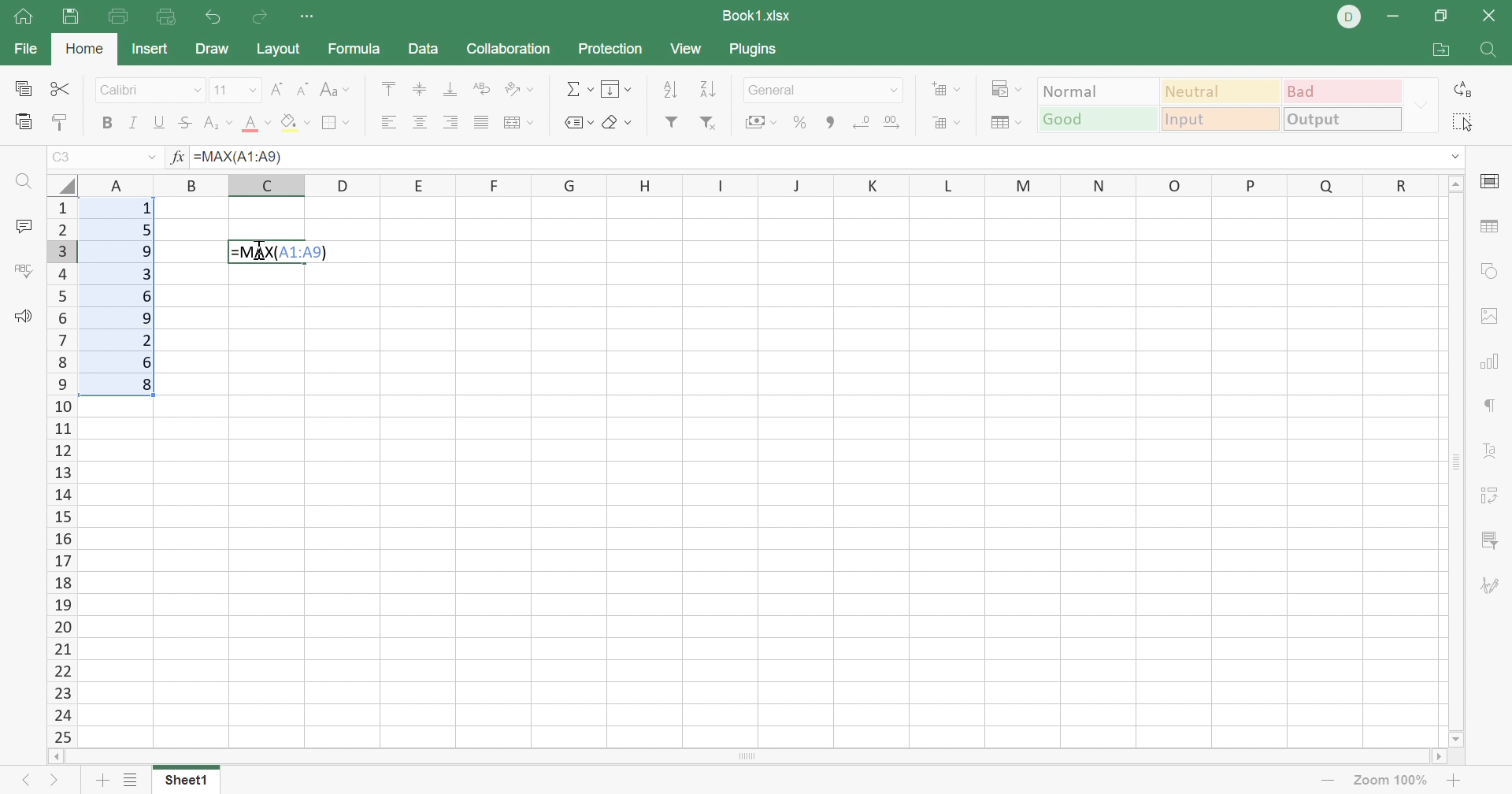  What do you see at coordinates (147, 339) in the screenshot?
I see `2` at bounding box center [147, 339].